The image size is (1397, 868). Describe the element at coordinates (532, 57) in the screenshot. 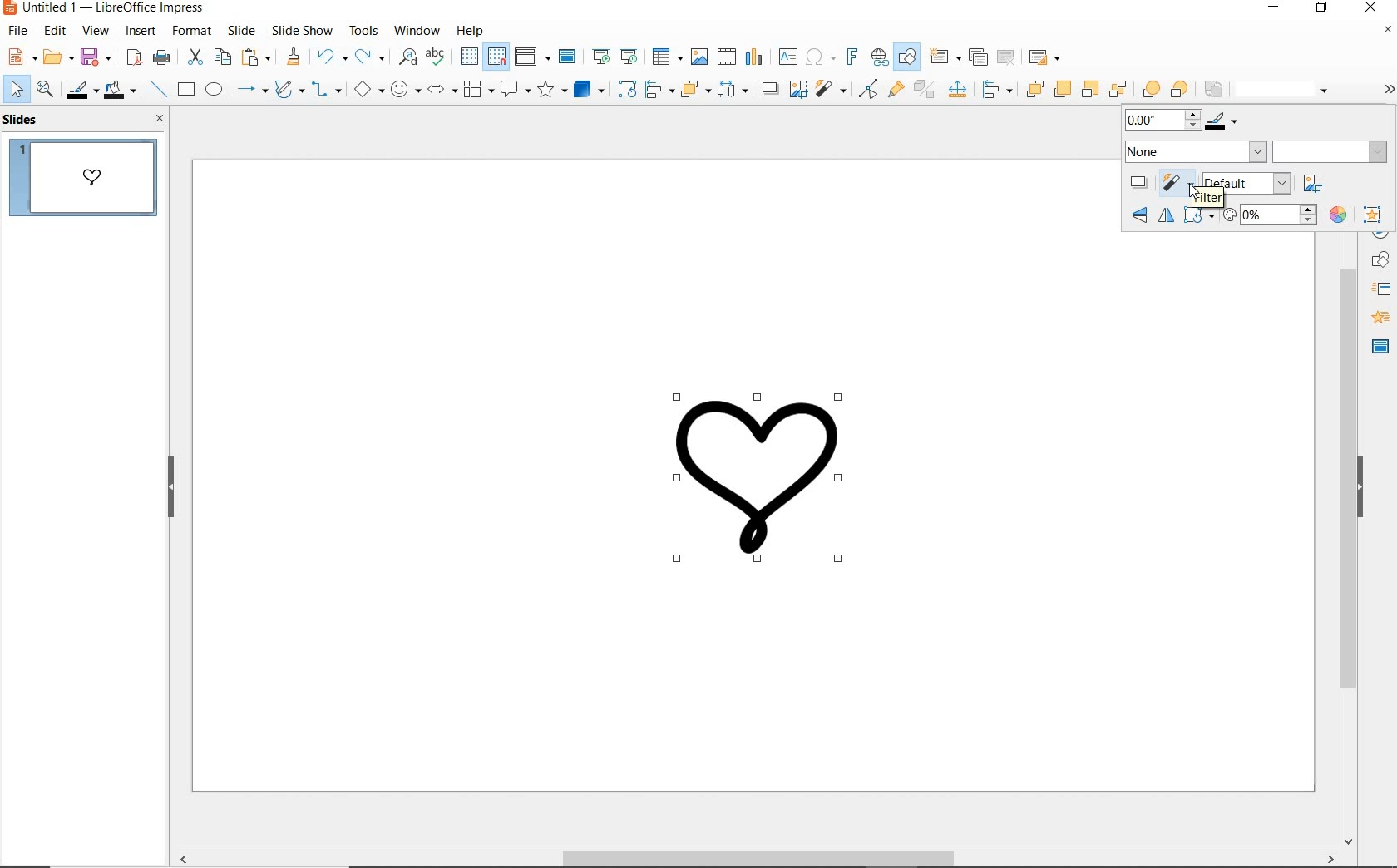

I see `display views` at that location.